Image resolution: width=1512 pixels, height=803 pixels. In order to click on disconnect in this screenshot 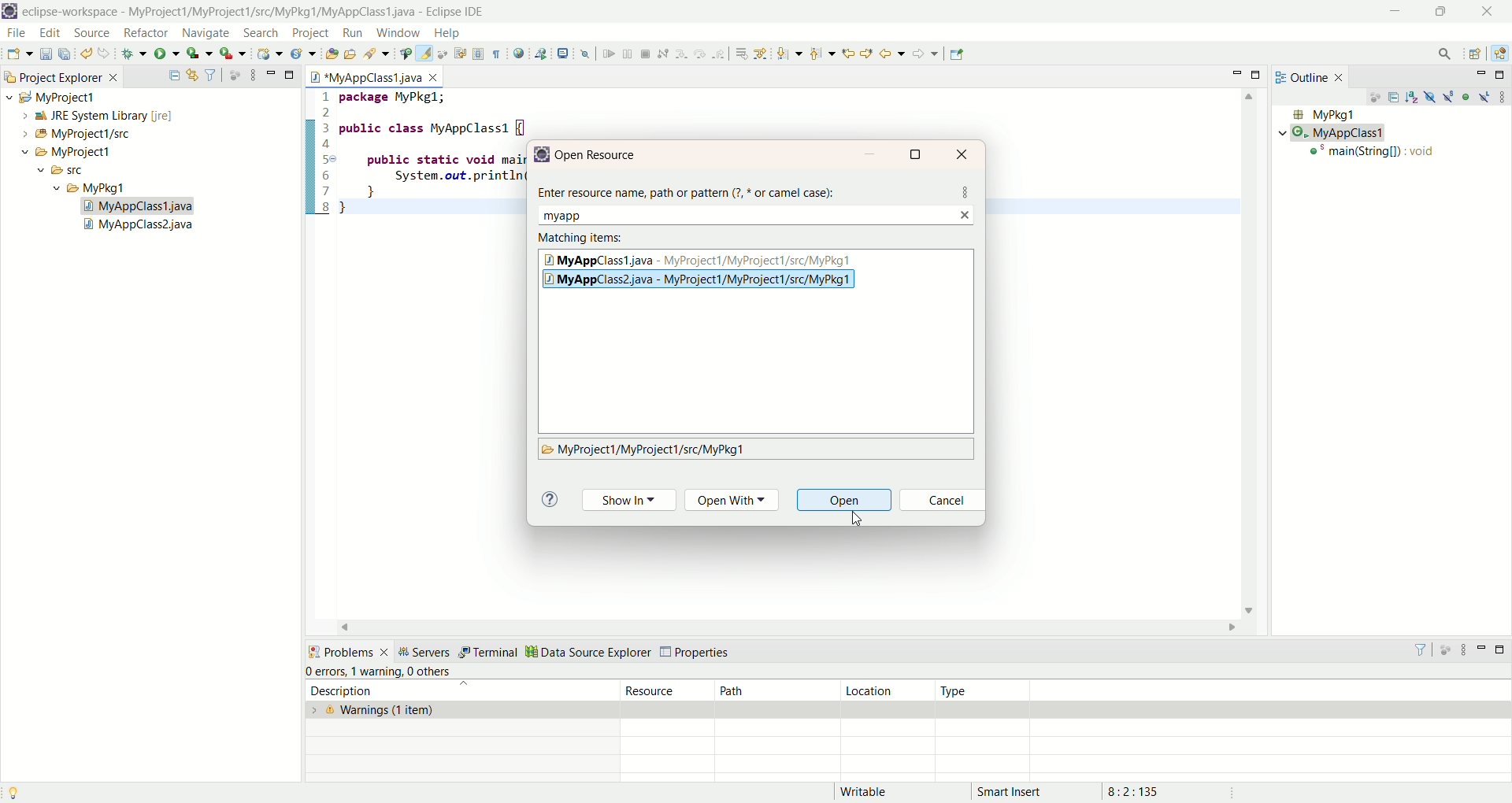, I will do `click(662, 54)`.